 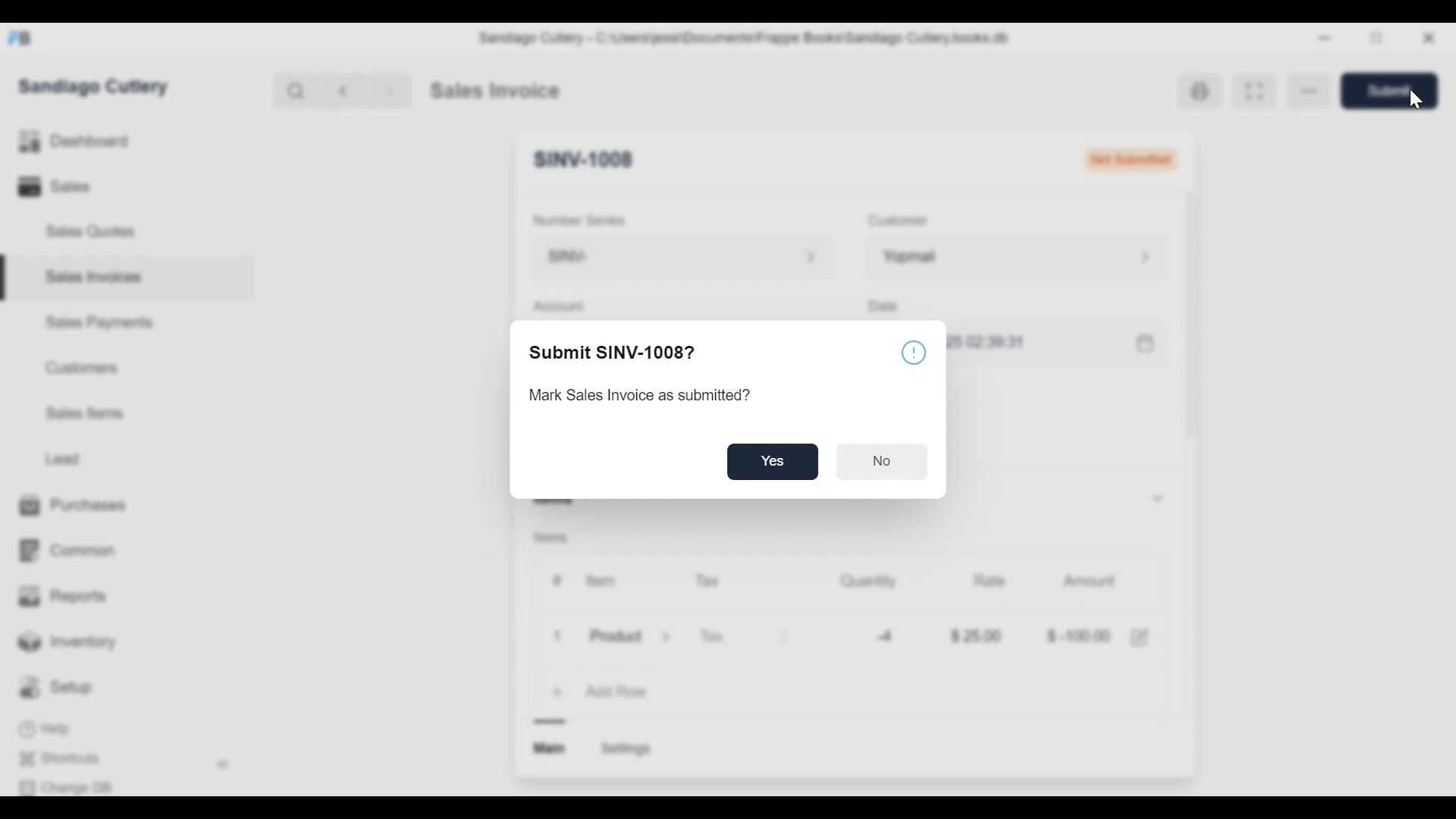 I want to click on !, so click(x=912, y=353).